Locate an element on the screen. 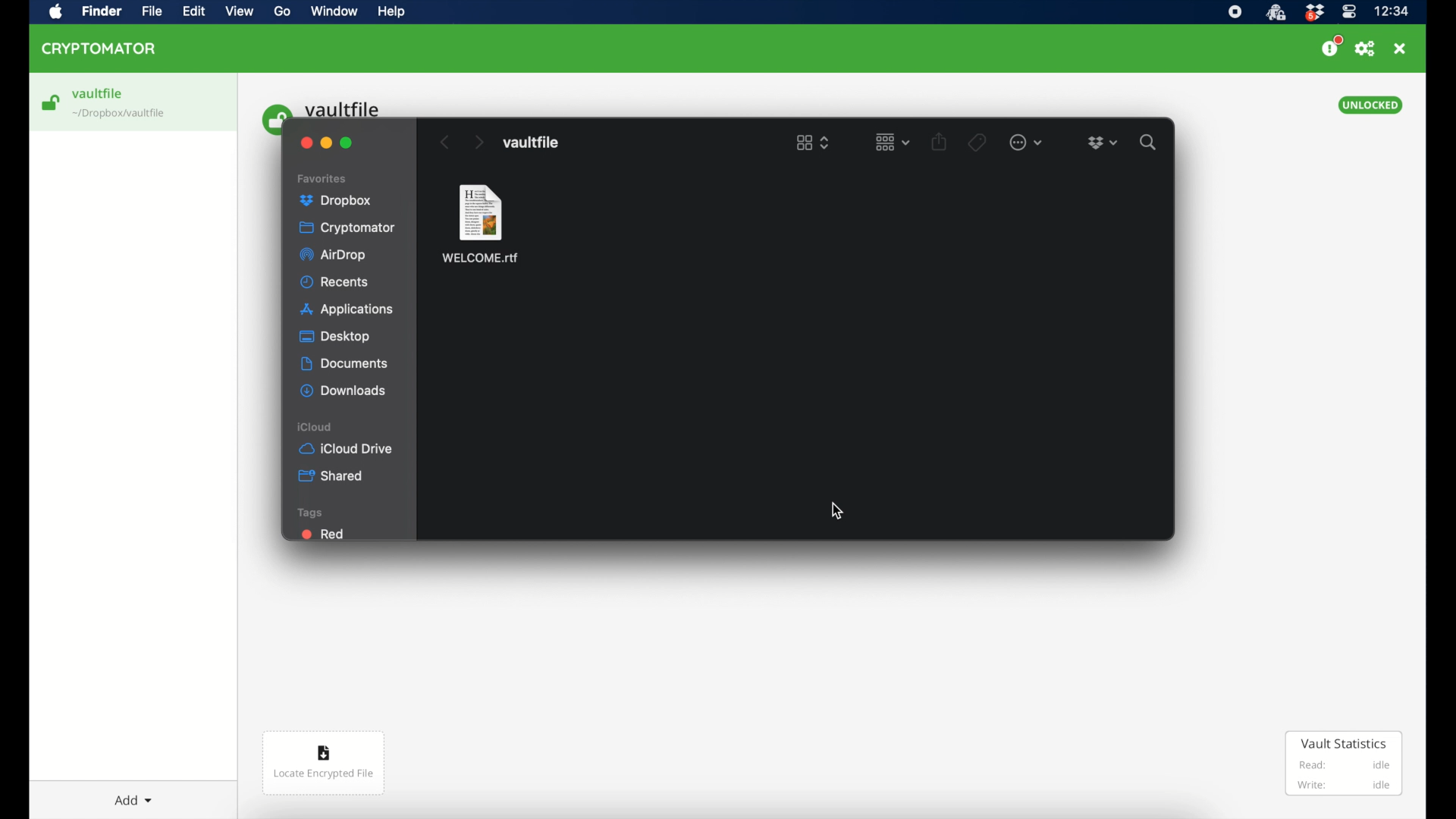  share is located at coordinates (939, 143).